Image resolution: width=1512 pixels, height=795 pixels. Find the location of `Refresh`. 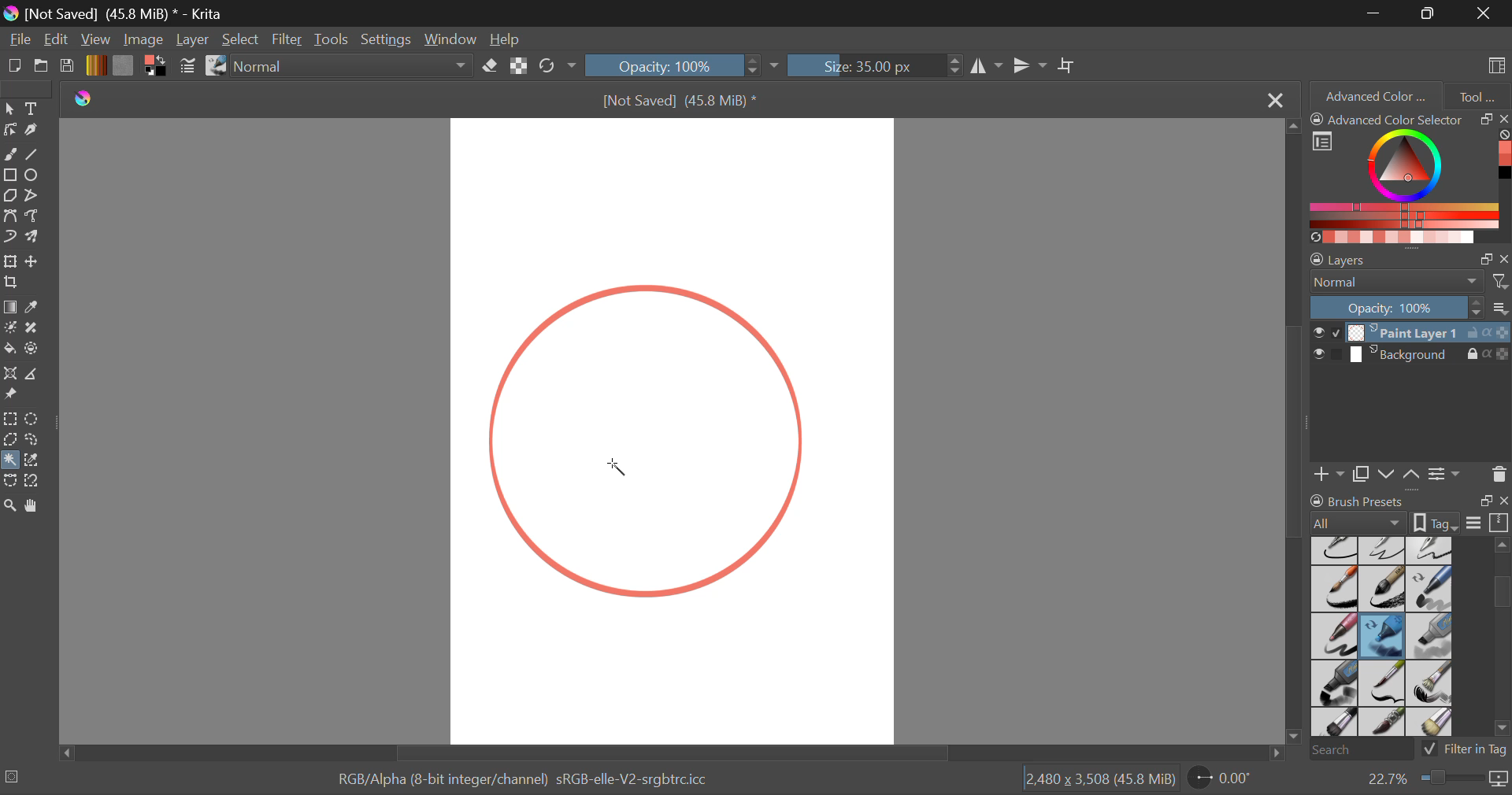

Refresh is located at coordinates (551, 67).